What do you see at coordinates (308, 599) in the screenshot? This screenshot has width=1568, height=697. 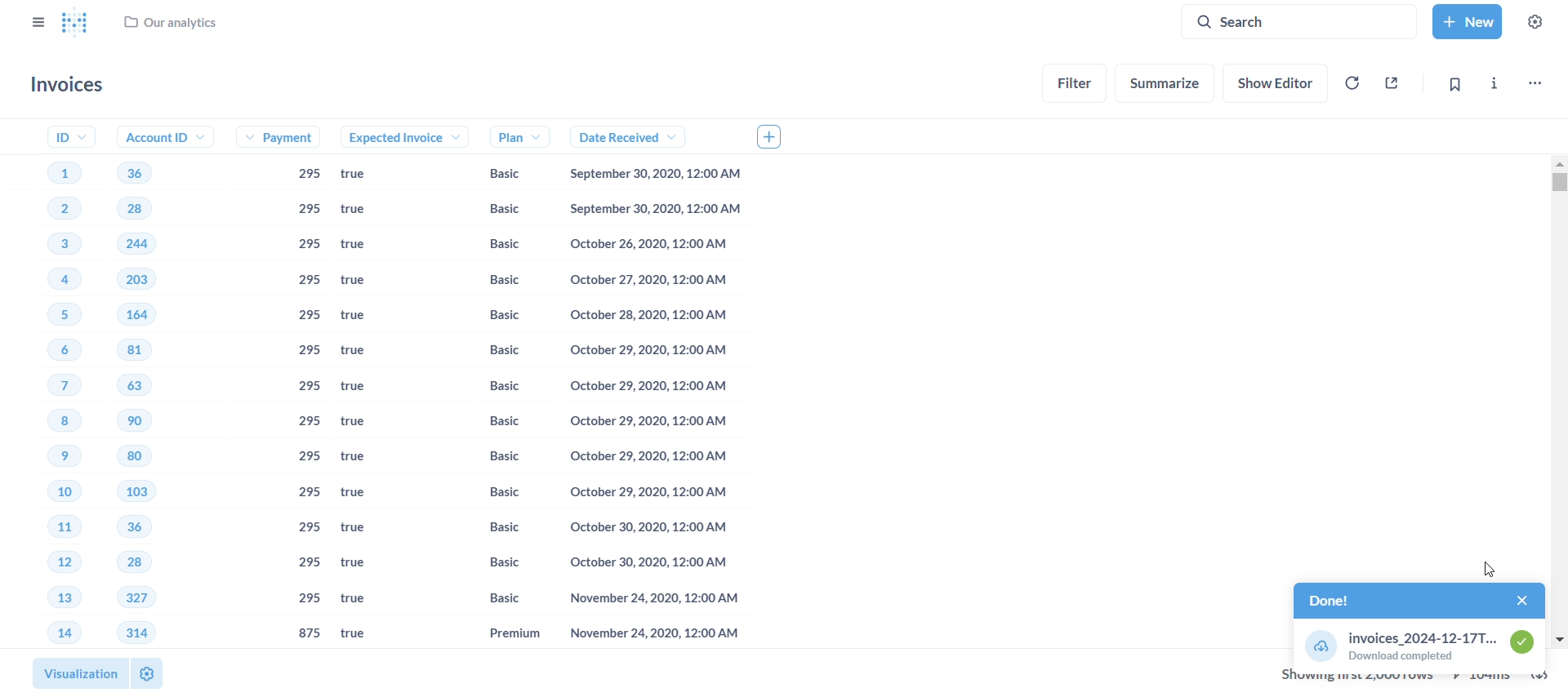 I see `295` at bounding box center [308, 599].